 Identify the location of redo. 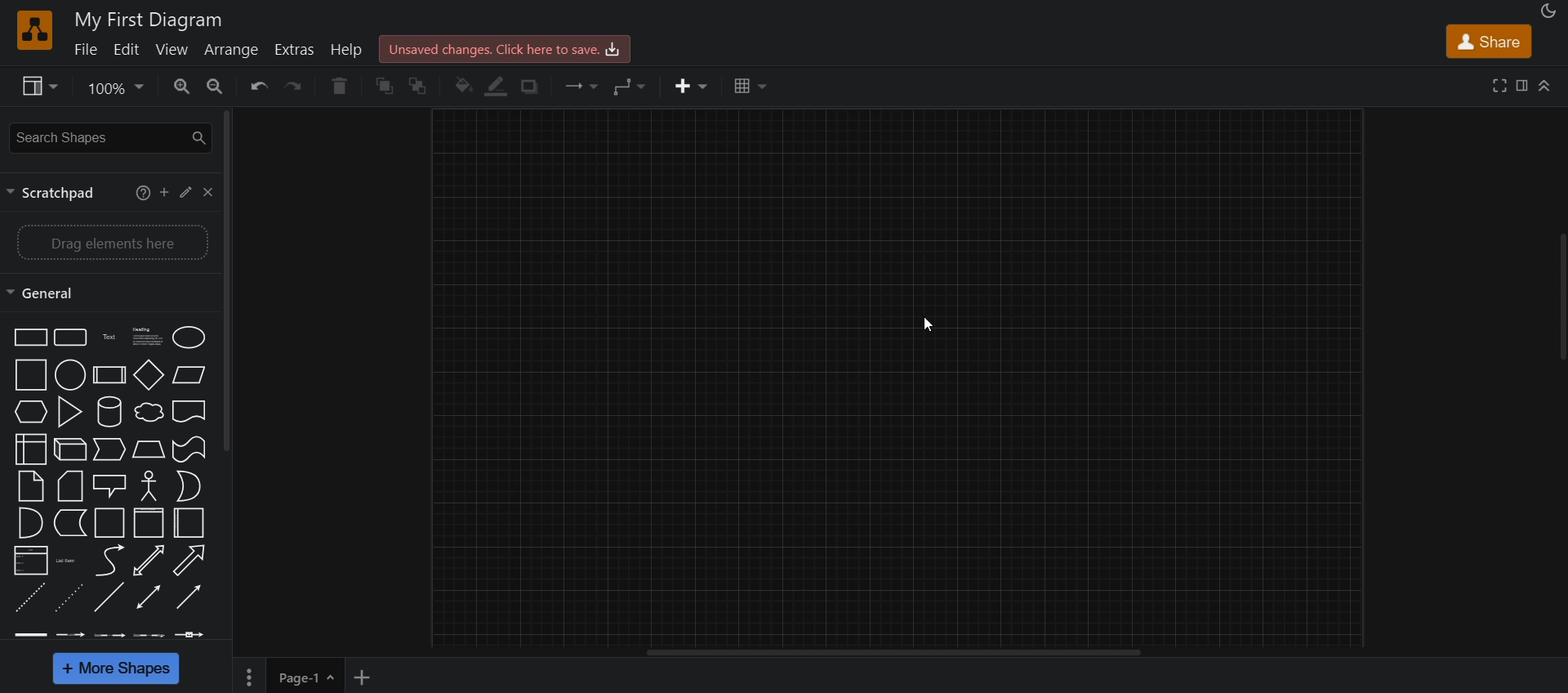
(296, 87).